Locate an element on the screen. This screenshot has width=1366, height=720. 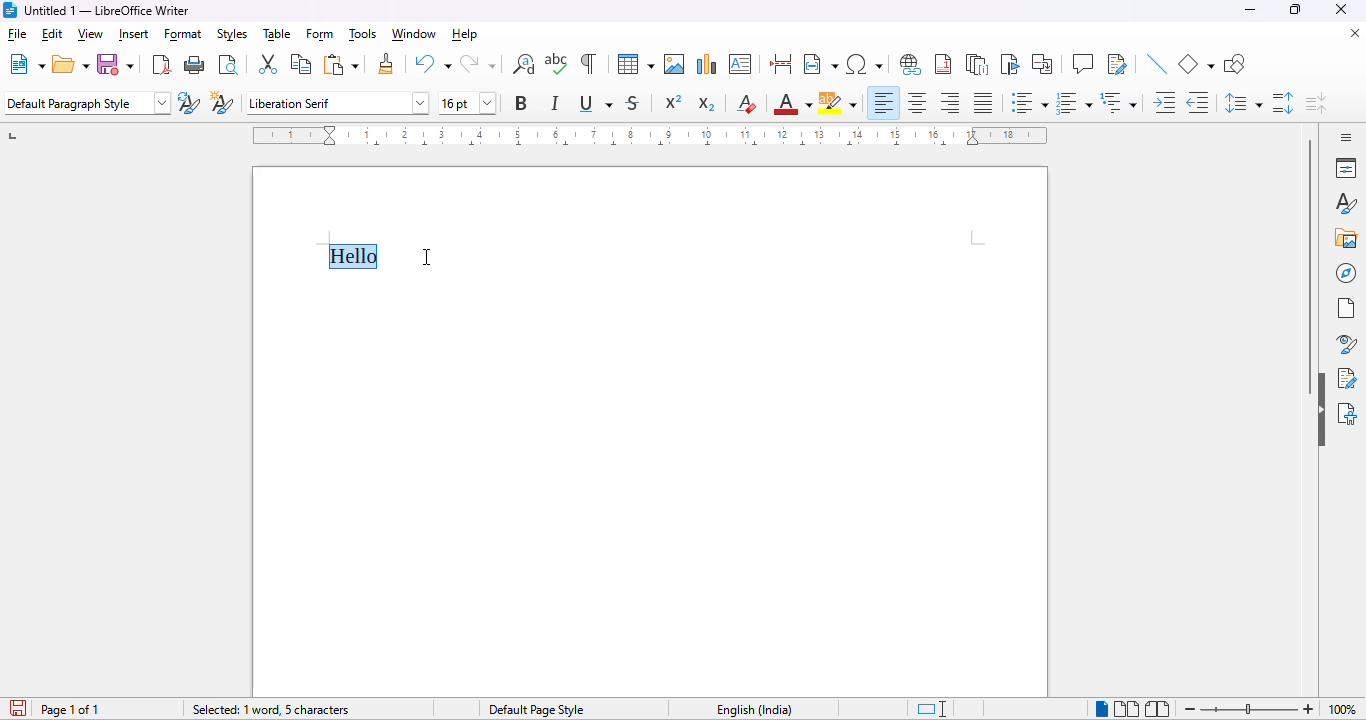
export directly as PDF is located at coordinates (161, 65).